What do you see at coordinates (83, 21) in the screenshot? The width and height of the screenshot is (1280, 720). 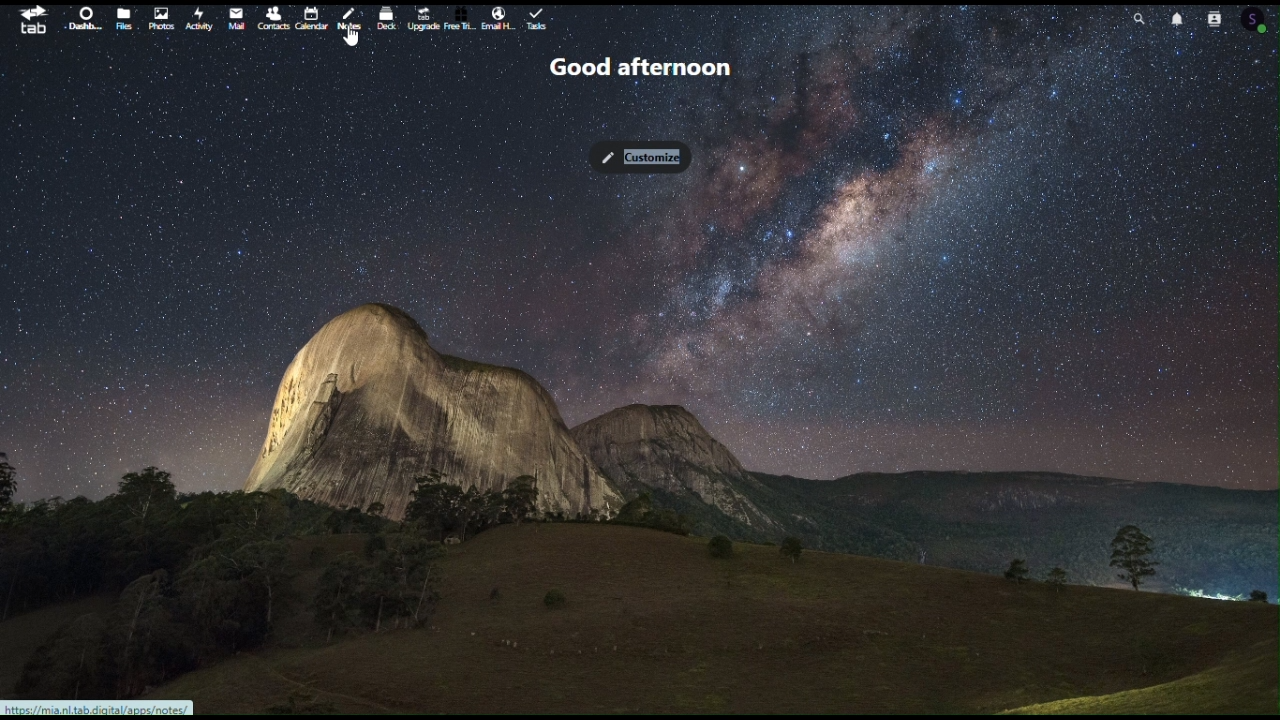 I see `Dashboard` at bounding box center [83, 21].